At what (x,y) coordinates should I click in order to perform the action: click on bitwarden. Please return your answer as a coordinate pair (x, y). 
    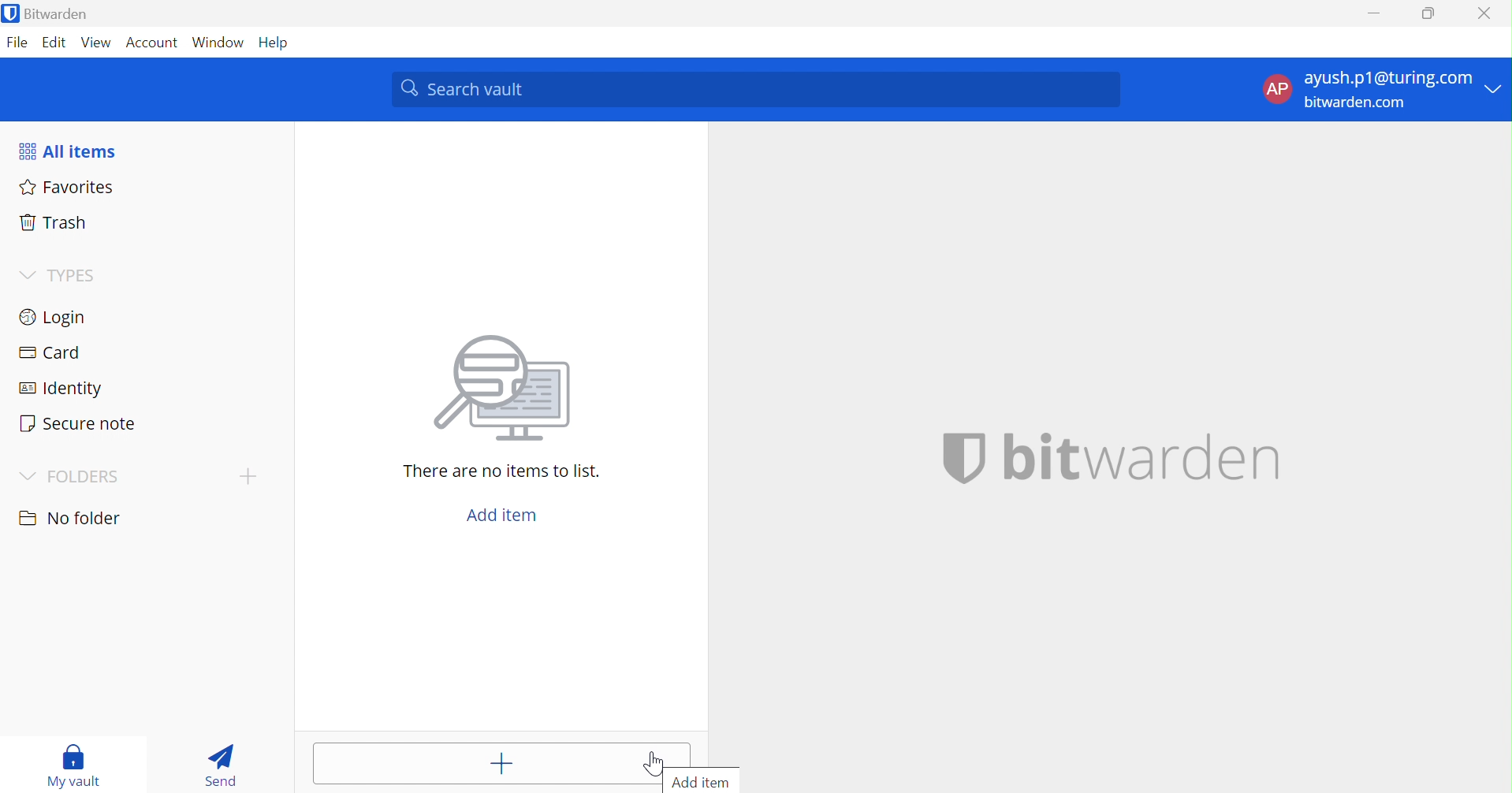
    Looking at the image, I should click on (1114, 459).